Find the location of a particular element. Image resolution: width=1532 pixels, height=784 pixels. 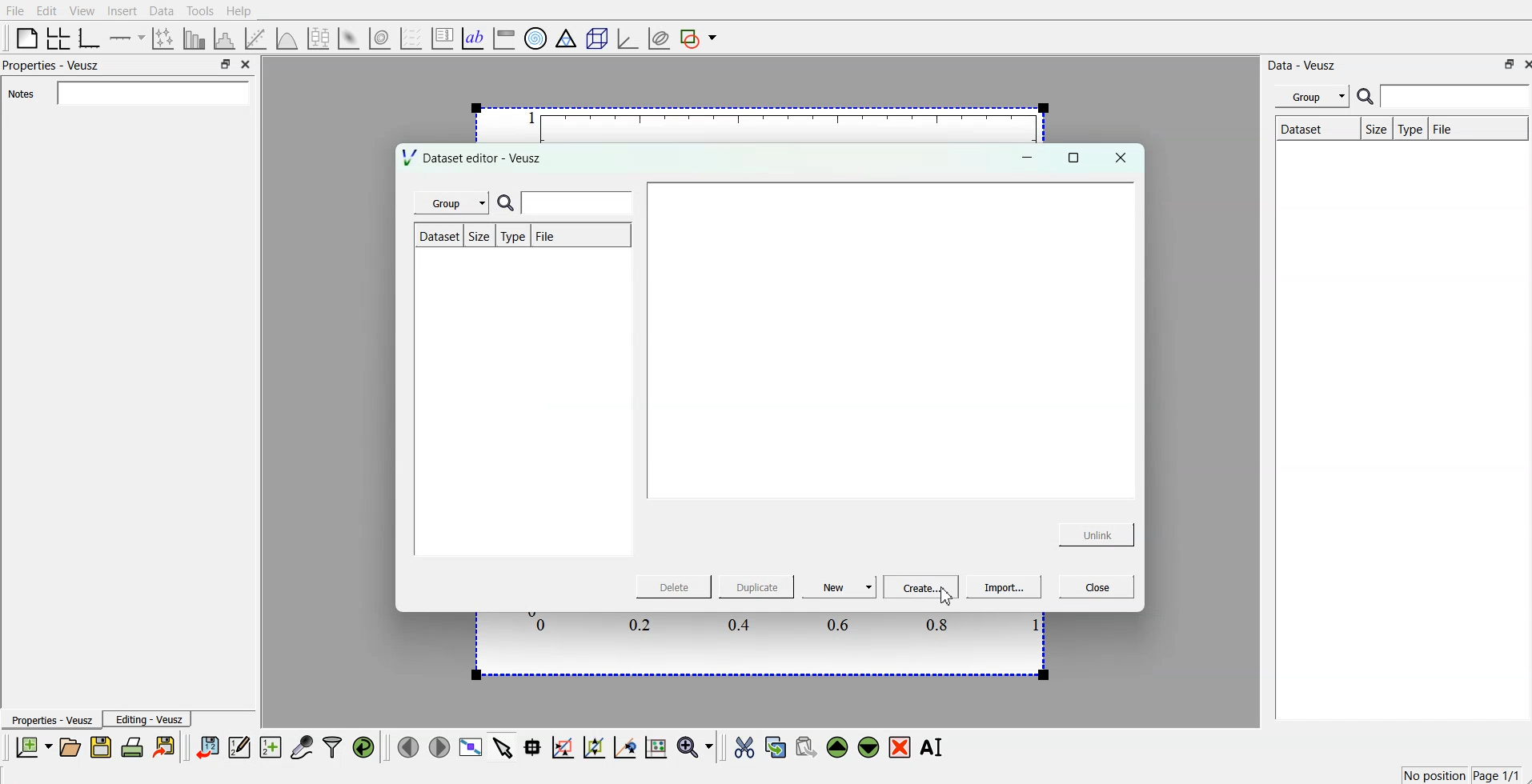

zoom functions is located at coordinates (696, 746).